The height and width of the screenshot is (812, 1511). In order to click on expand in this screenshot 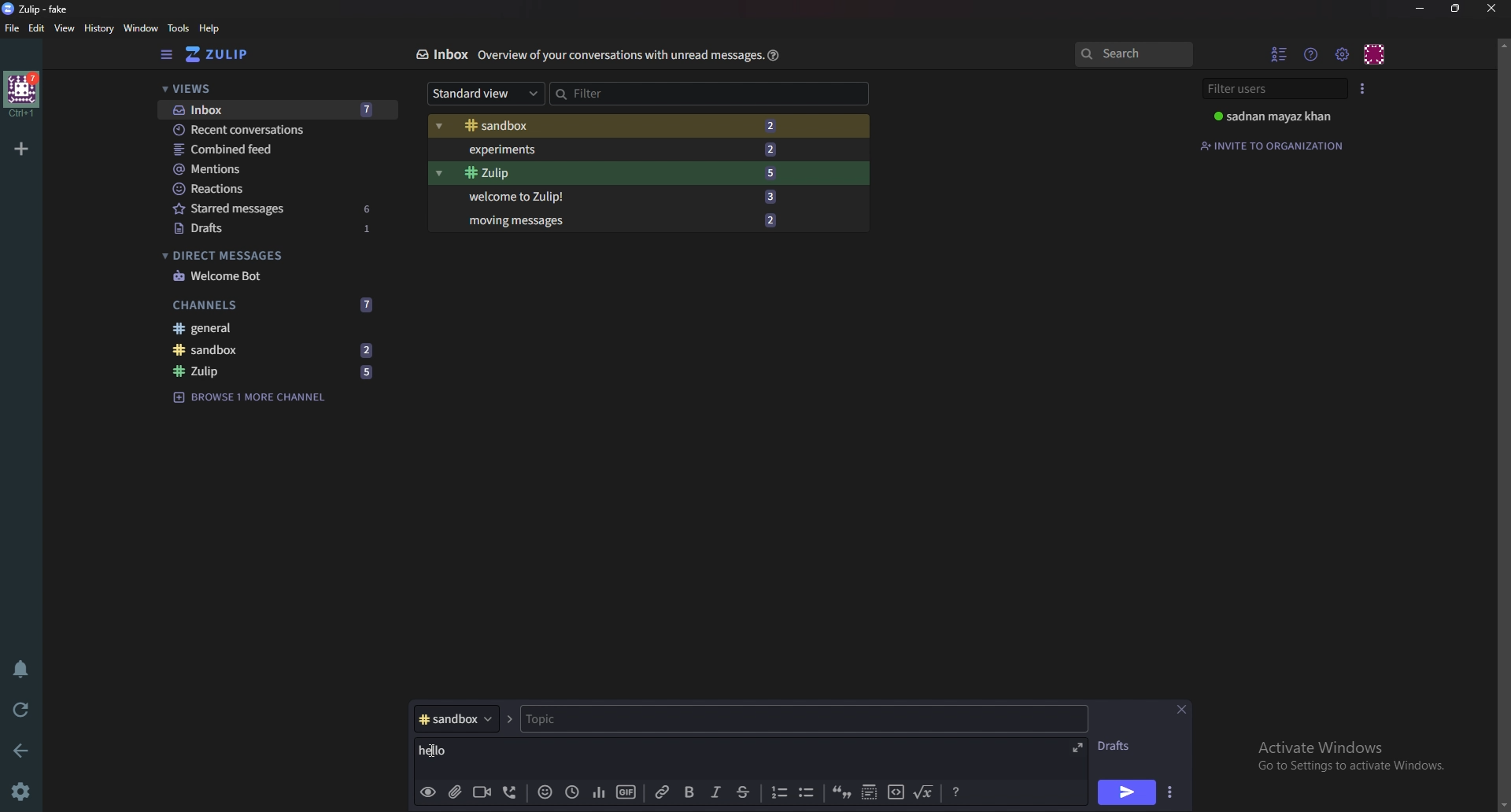, I will do `click(1079, 748)`.